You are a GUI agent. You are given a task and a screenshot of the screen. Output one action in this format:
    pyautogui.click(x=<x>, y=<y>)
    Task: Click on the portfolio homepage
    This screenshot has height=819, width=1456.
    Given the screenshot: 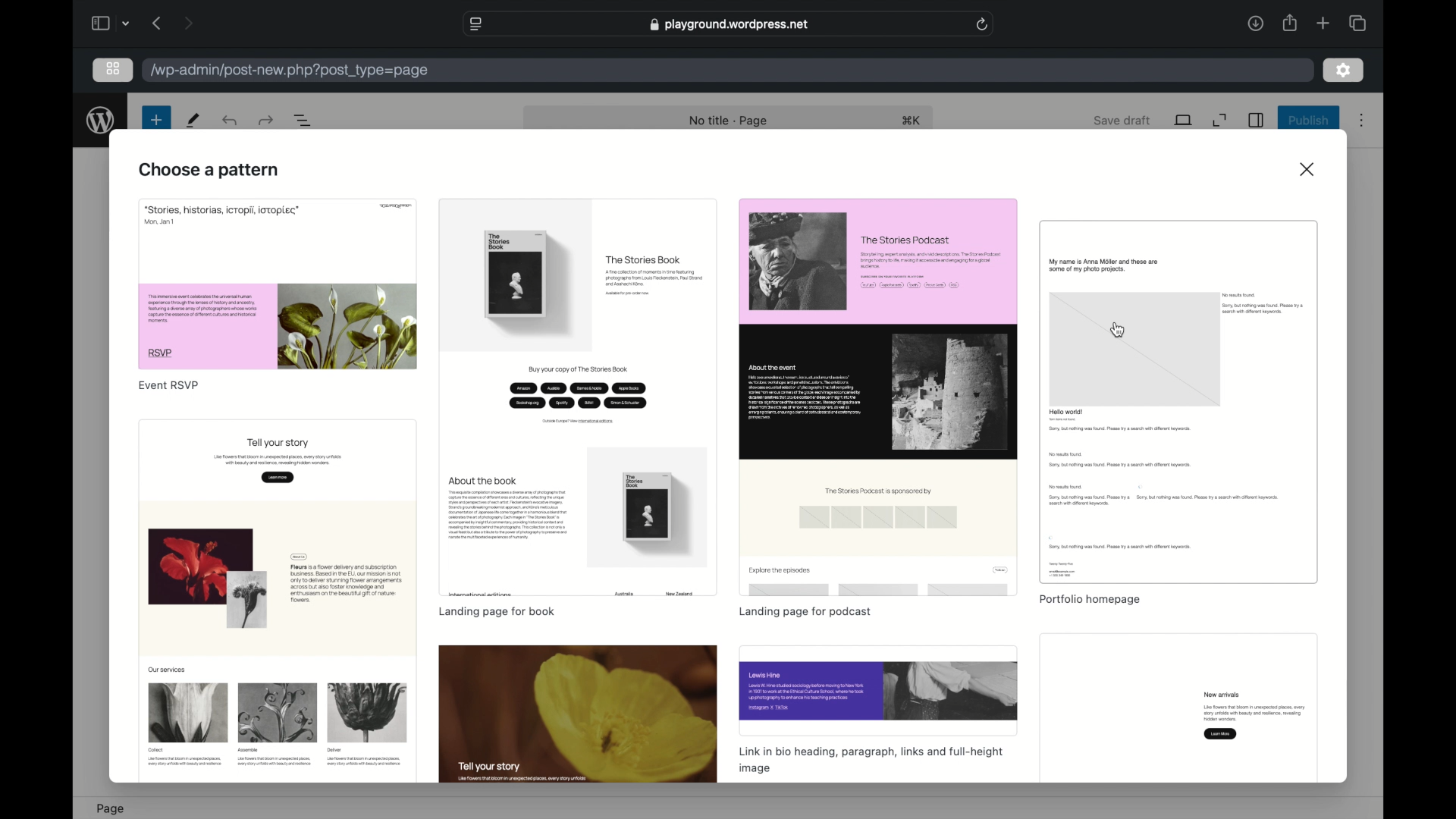 What is the action you would take?
    pyautogui.click(x=1089, y=600)
    